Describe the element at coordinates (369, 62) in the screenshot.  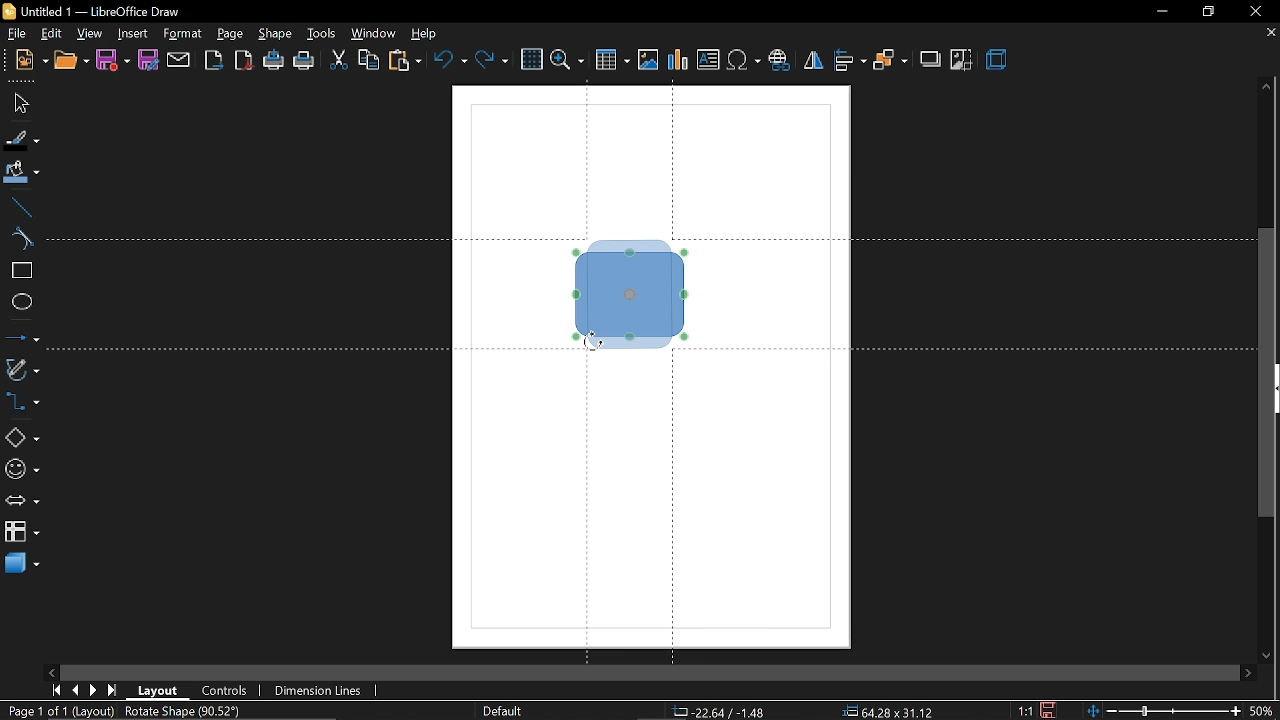
I see `copy` at that location.